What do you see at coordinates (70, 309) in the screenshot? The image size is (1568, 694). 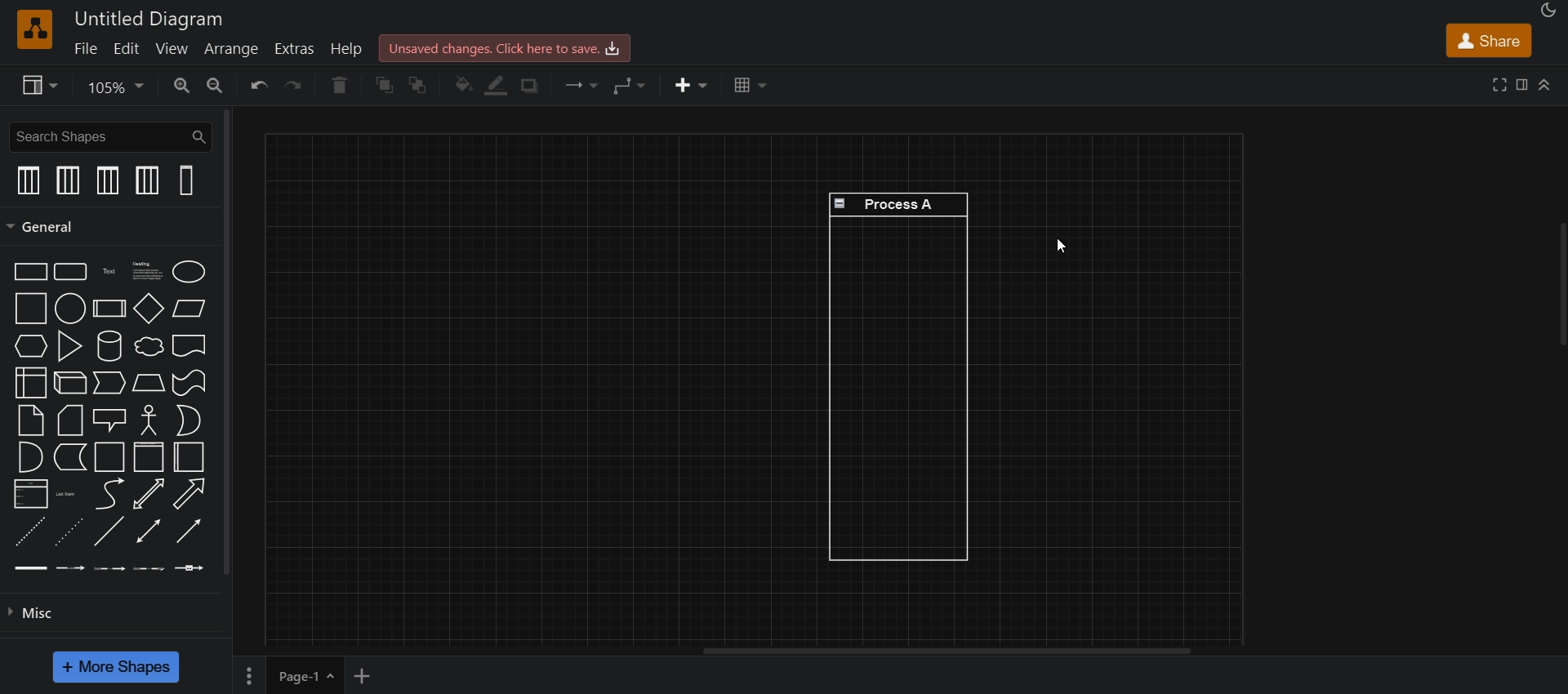 I see `circle` at bounding box center [70, 309].